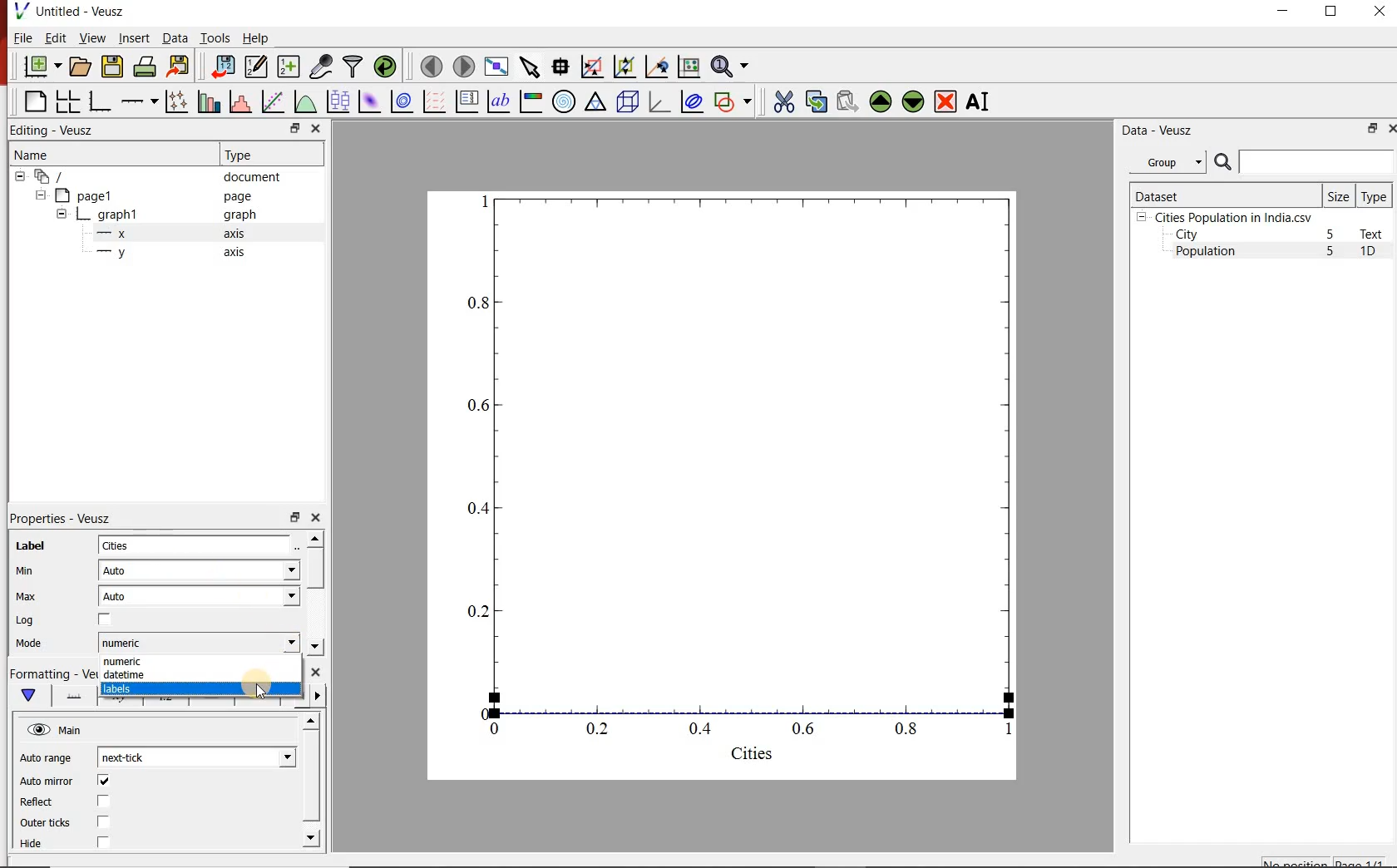 Image resolution: width=1397 pixels, height=868 pixels. Describe the element at coordinates (1284, 11) in the screenshot. I see `MINIMIZE` at that location.